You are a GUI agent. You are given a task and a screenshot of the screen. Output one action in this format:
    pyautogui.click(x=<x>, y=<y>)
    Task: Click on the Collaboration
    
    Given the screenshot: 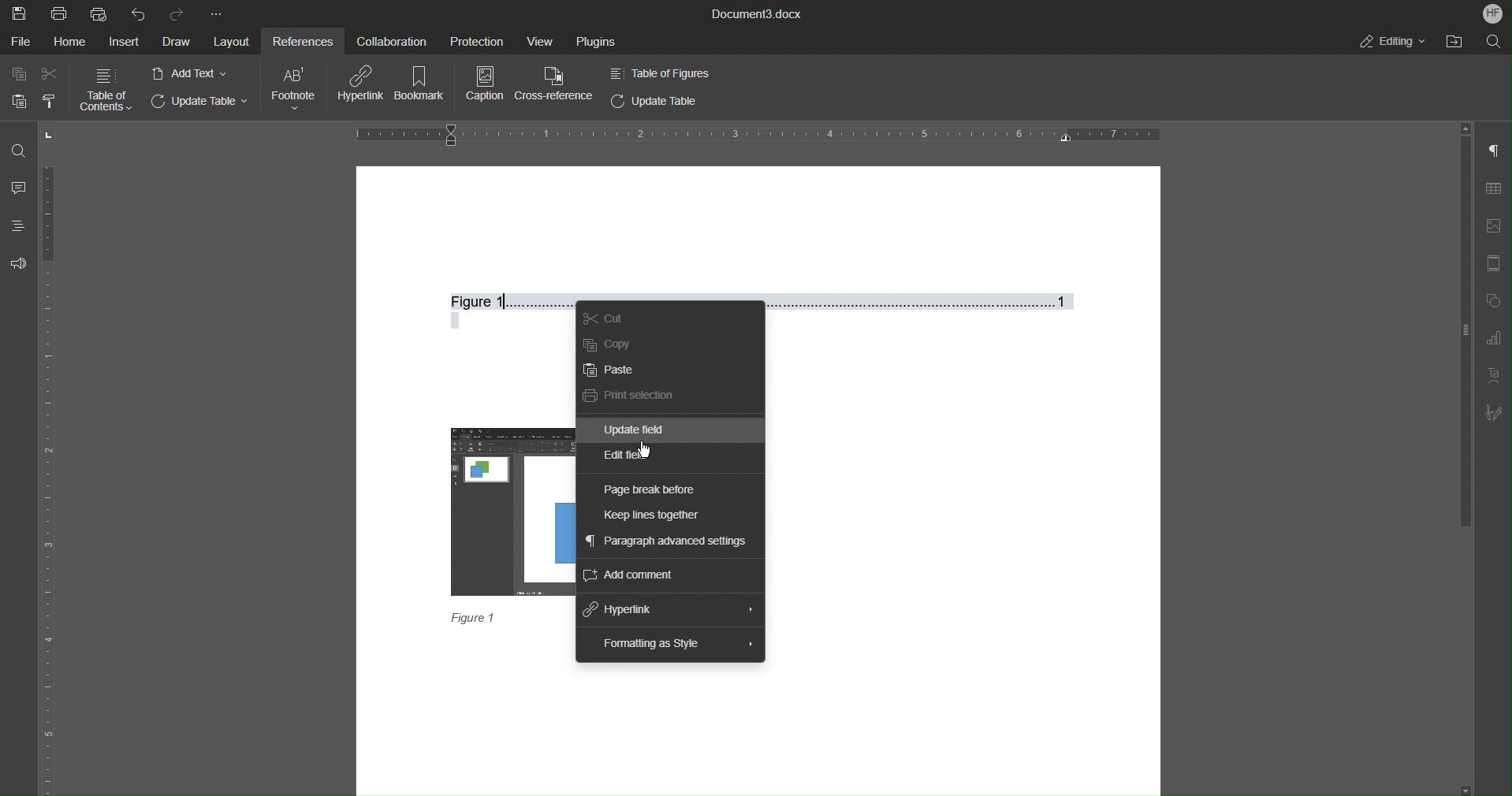 What is the action you would take?
    pyautogui.click(x=389, y=40)
    